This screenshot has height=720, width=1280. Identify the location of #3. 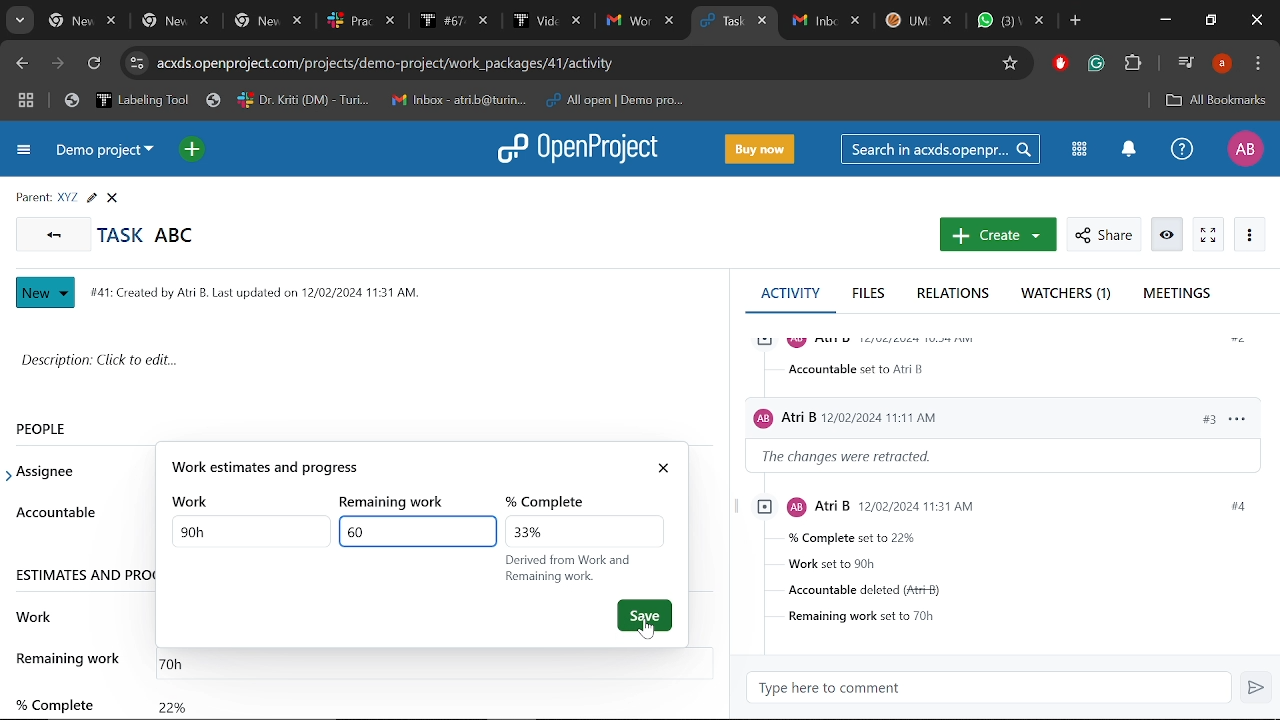
(1198, 418).